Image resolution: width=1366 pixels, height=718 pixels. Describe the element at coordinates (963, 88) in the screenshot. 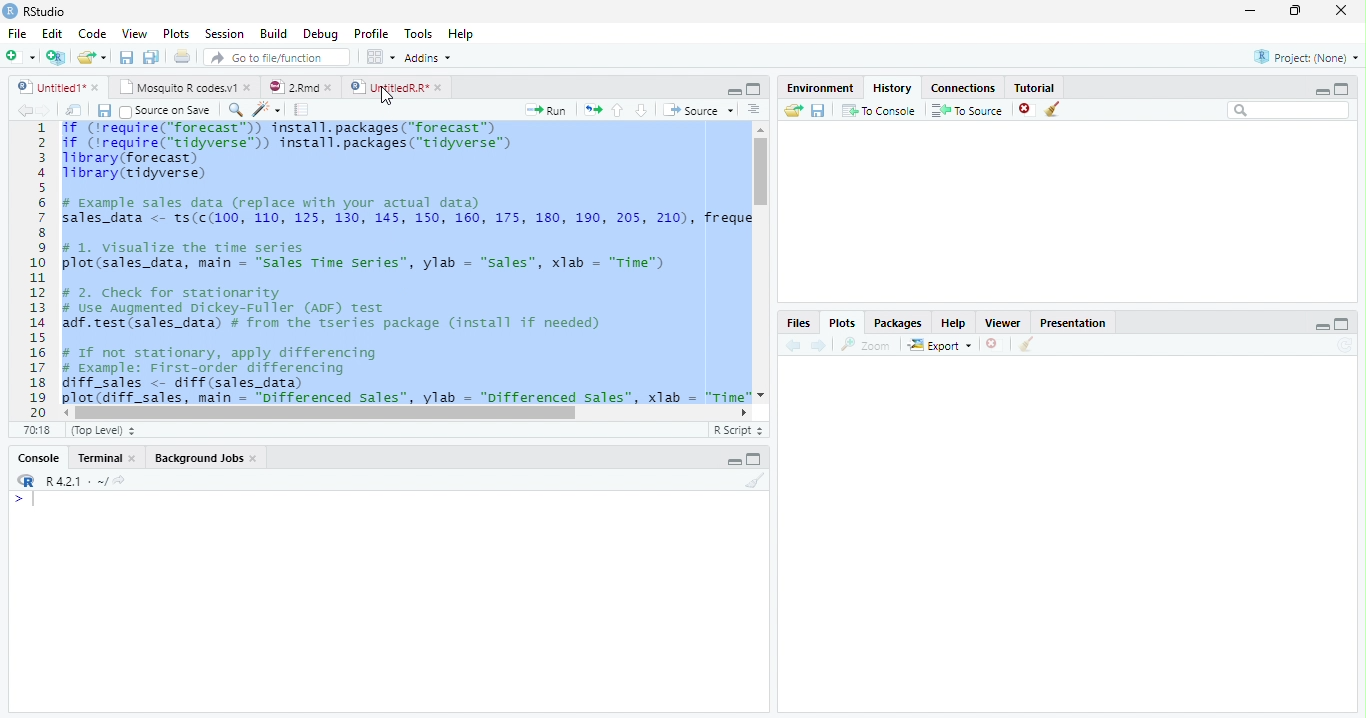

I see `Connections` at that location.